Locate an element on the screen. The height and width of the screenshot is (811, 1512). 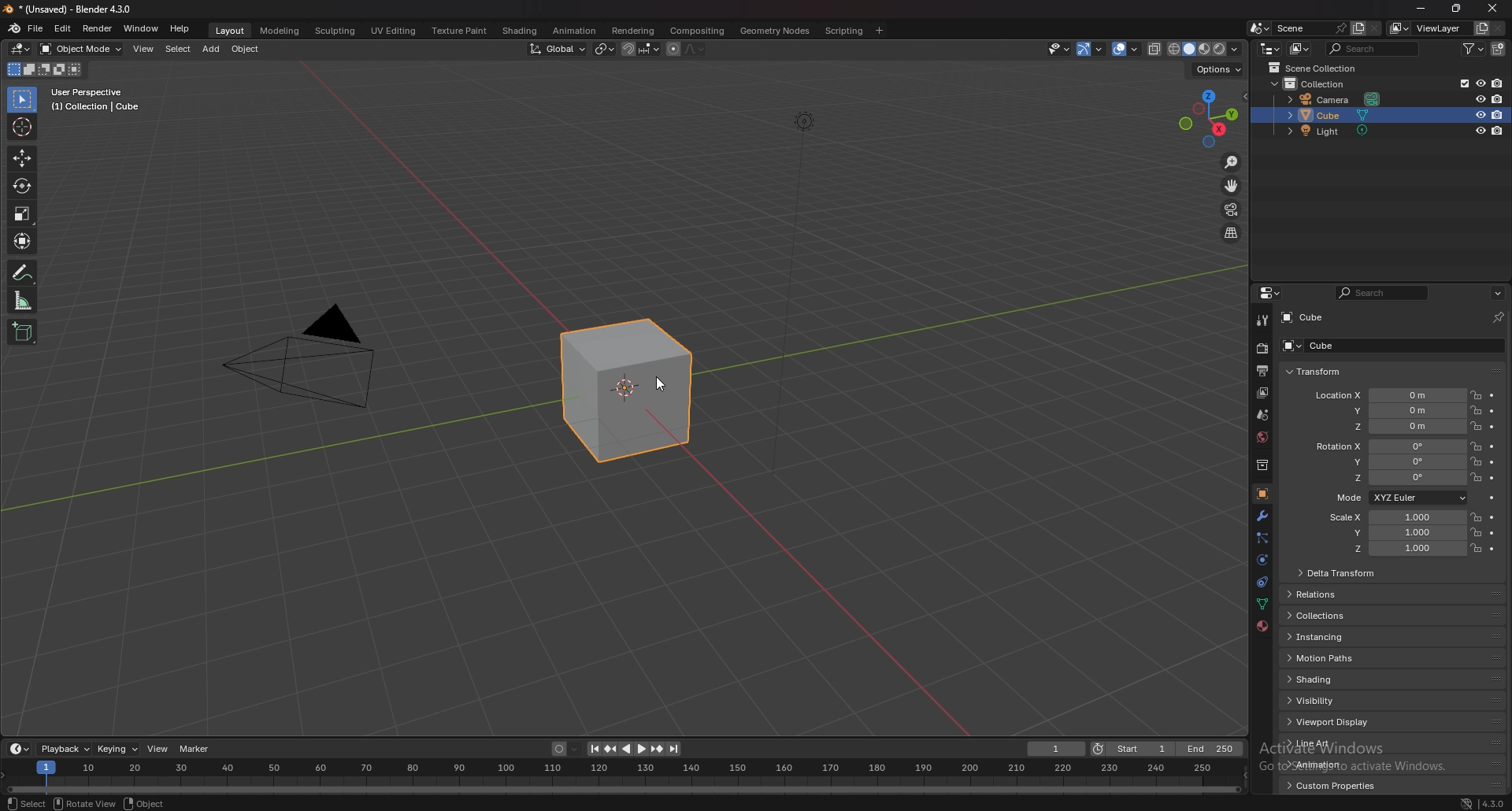
jump to keyframe is located at coordinates (612, 750).